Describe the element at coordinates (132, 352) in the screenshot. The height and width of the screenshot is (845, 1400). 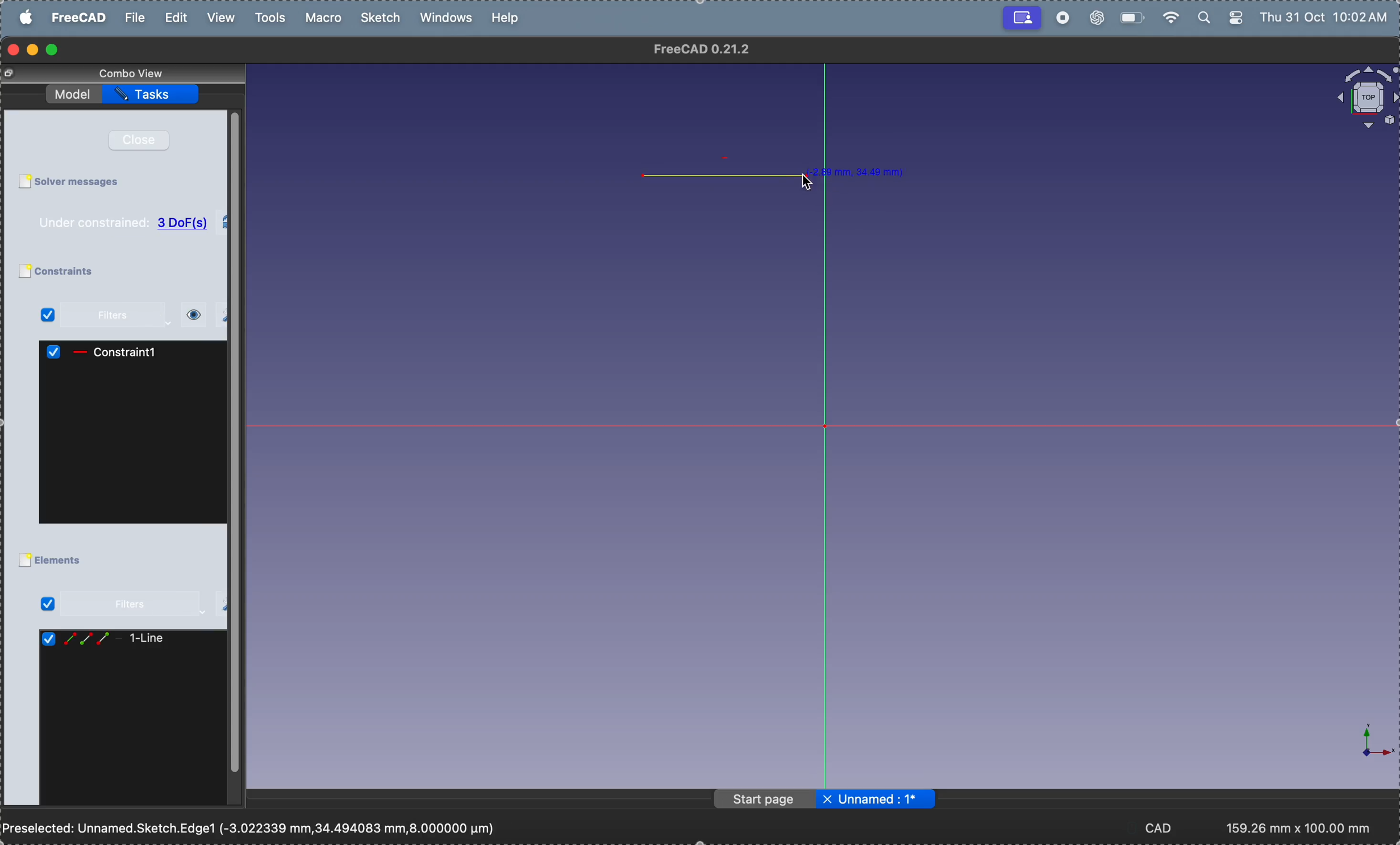
I see `constraint1` at that location.